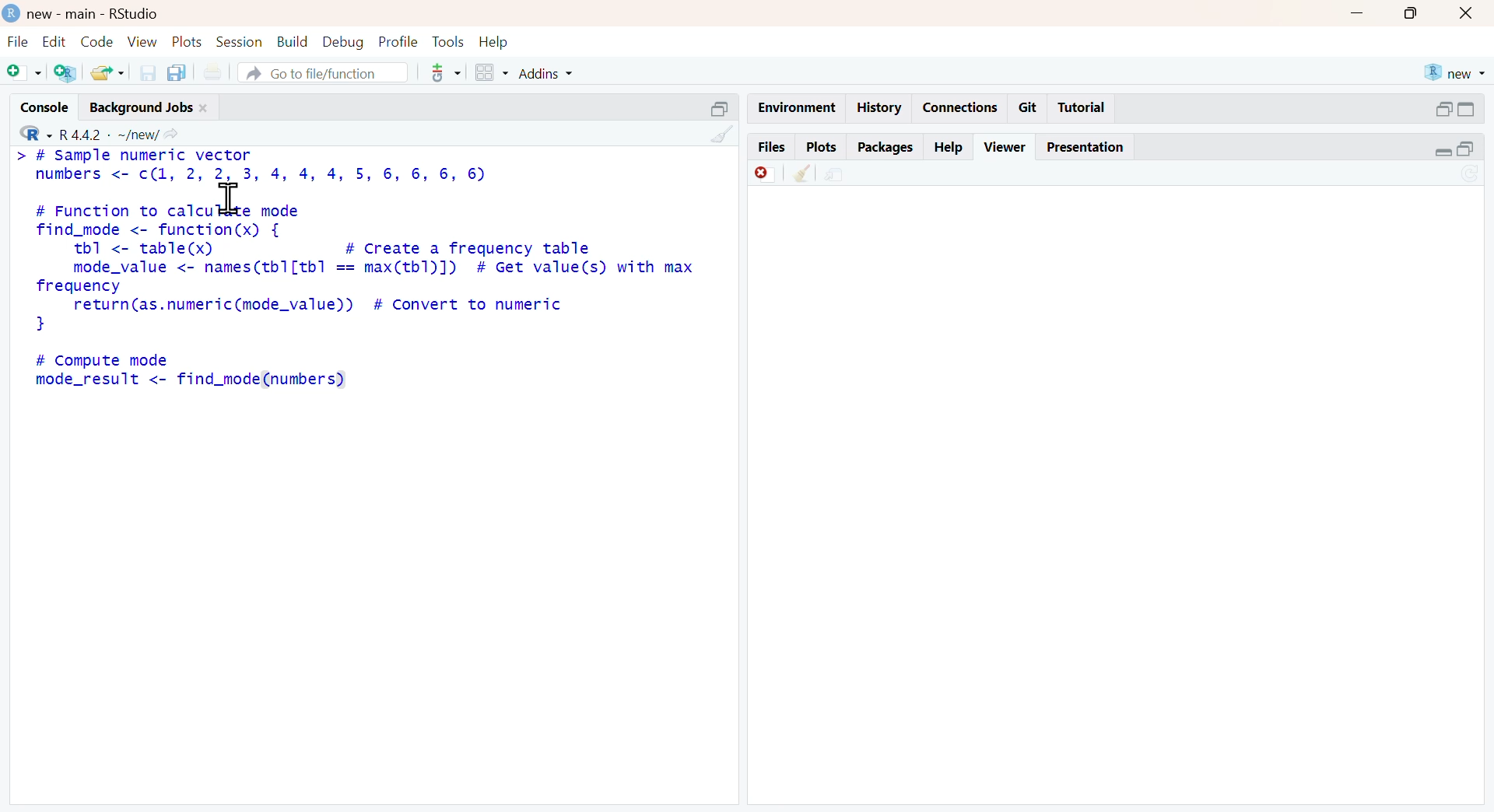  I want to click on go to file/function, so click(324, 72).